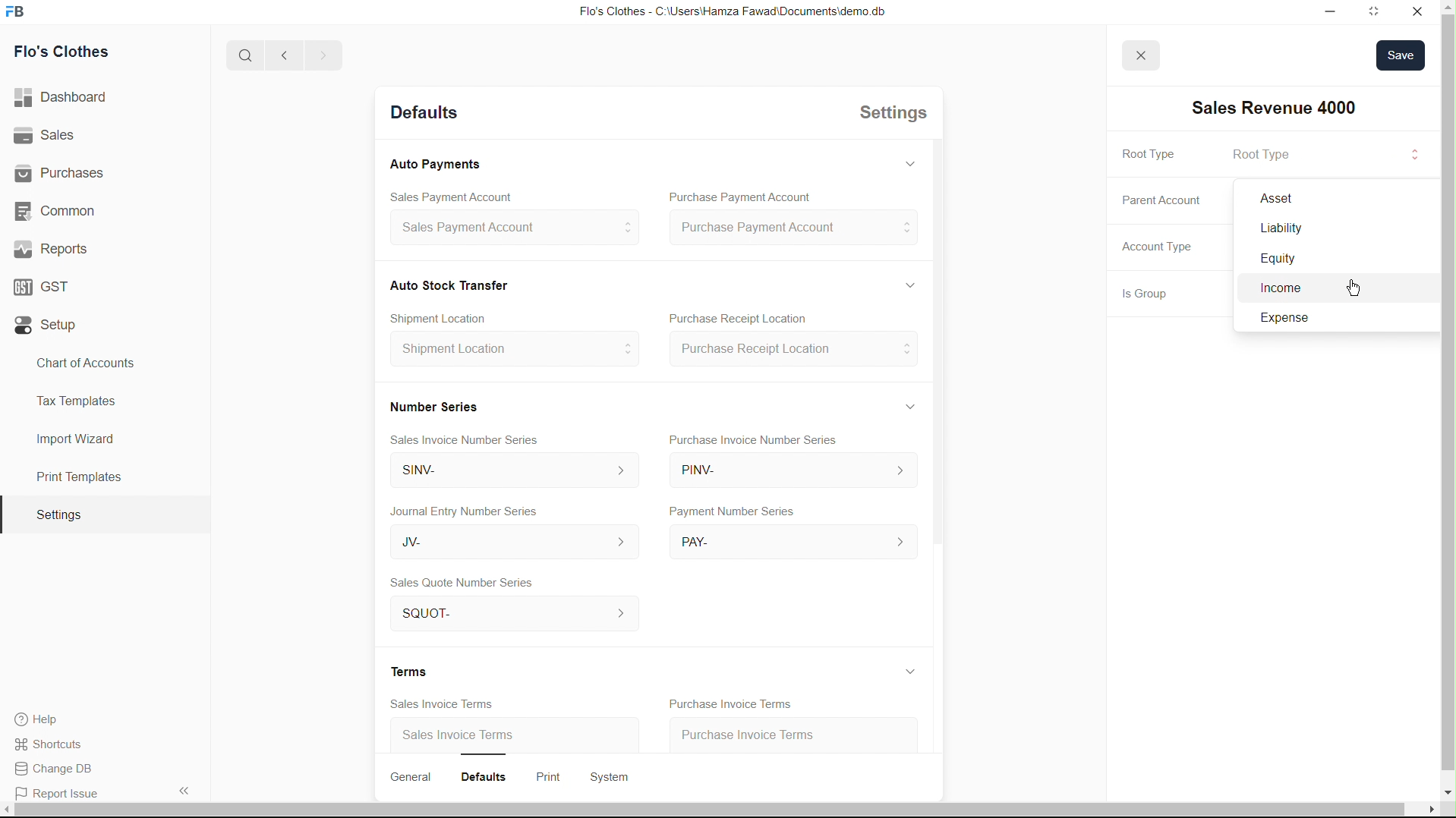  Describe the element at coordinates (559, 775) in the screenshot. I see `Print` at that location.